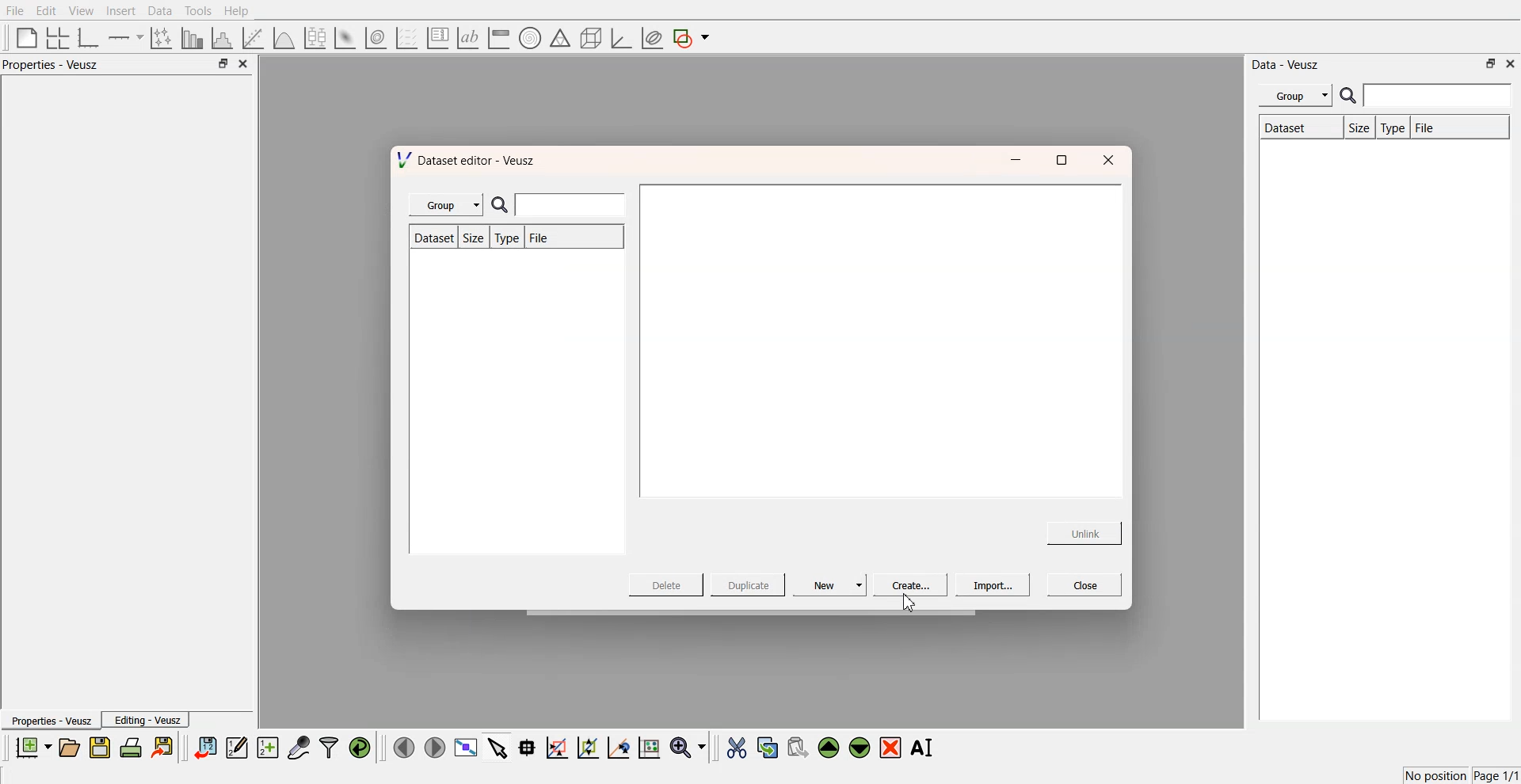 The width and height of the screenshot is (1521, 784). I want to click on minimise or maximise, so click(223, 64).